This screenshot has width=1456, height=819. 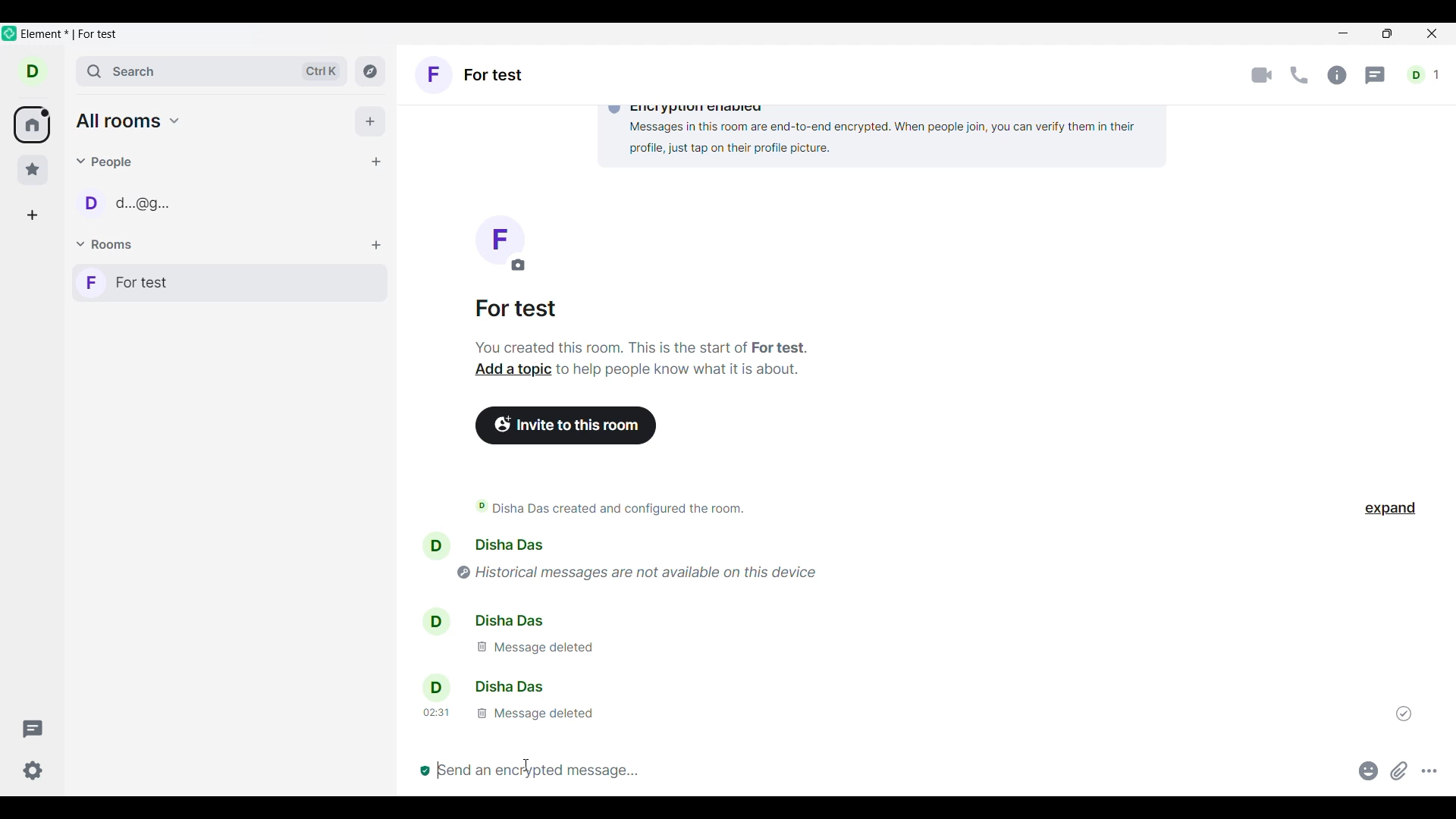 I want to click on everyone in this room is verified, so click(x=423, y=769).